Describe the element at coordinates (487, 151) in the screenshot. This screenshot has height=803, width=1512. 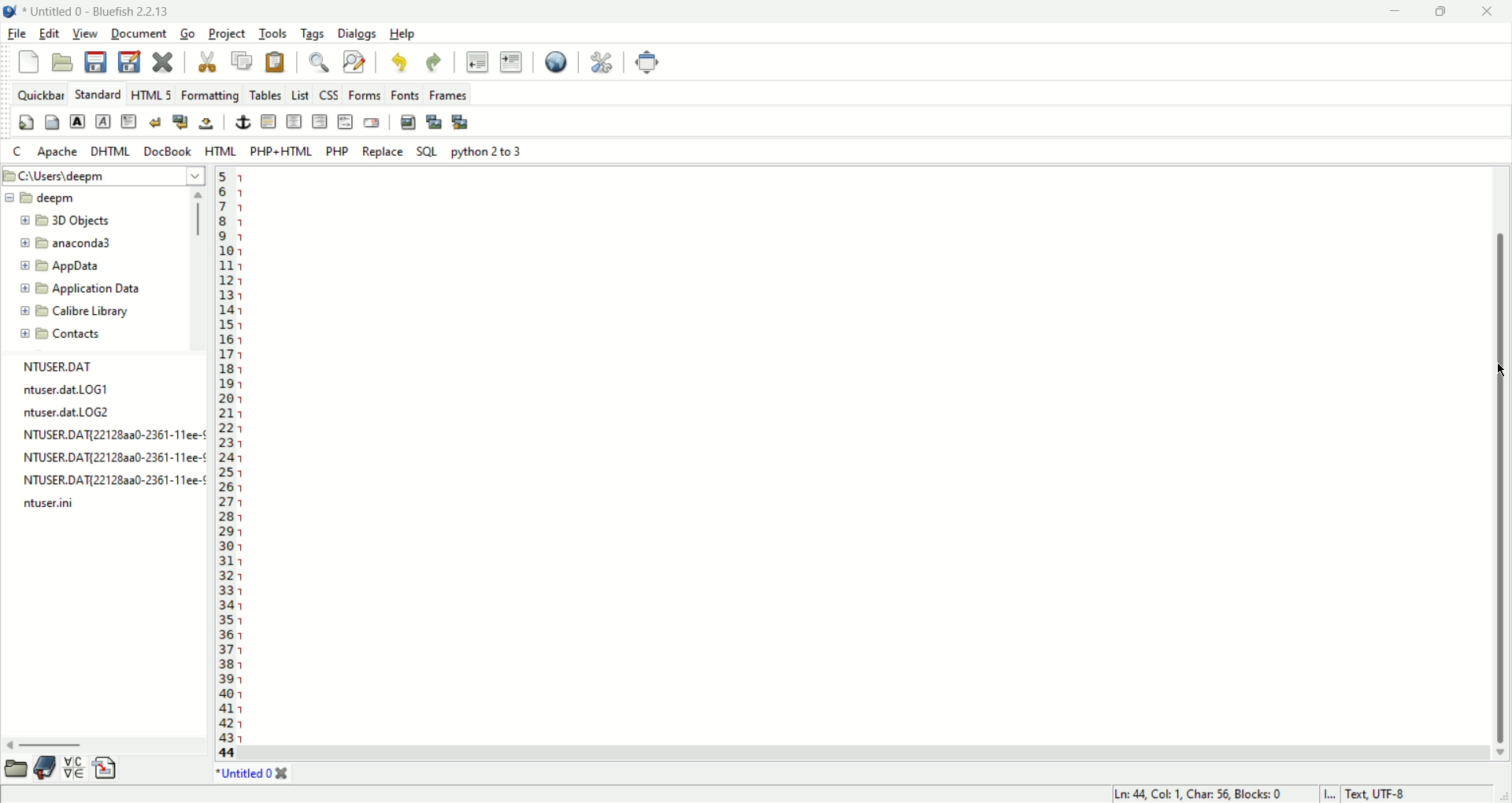
I see `Python 2 to 3` at that location.